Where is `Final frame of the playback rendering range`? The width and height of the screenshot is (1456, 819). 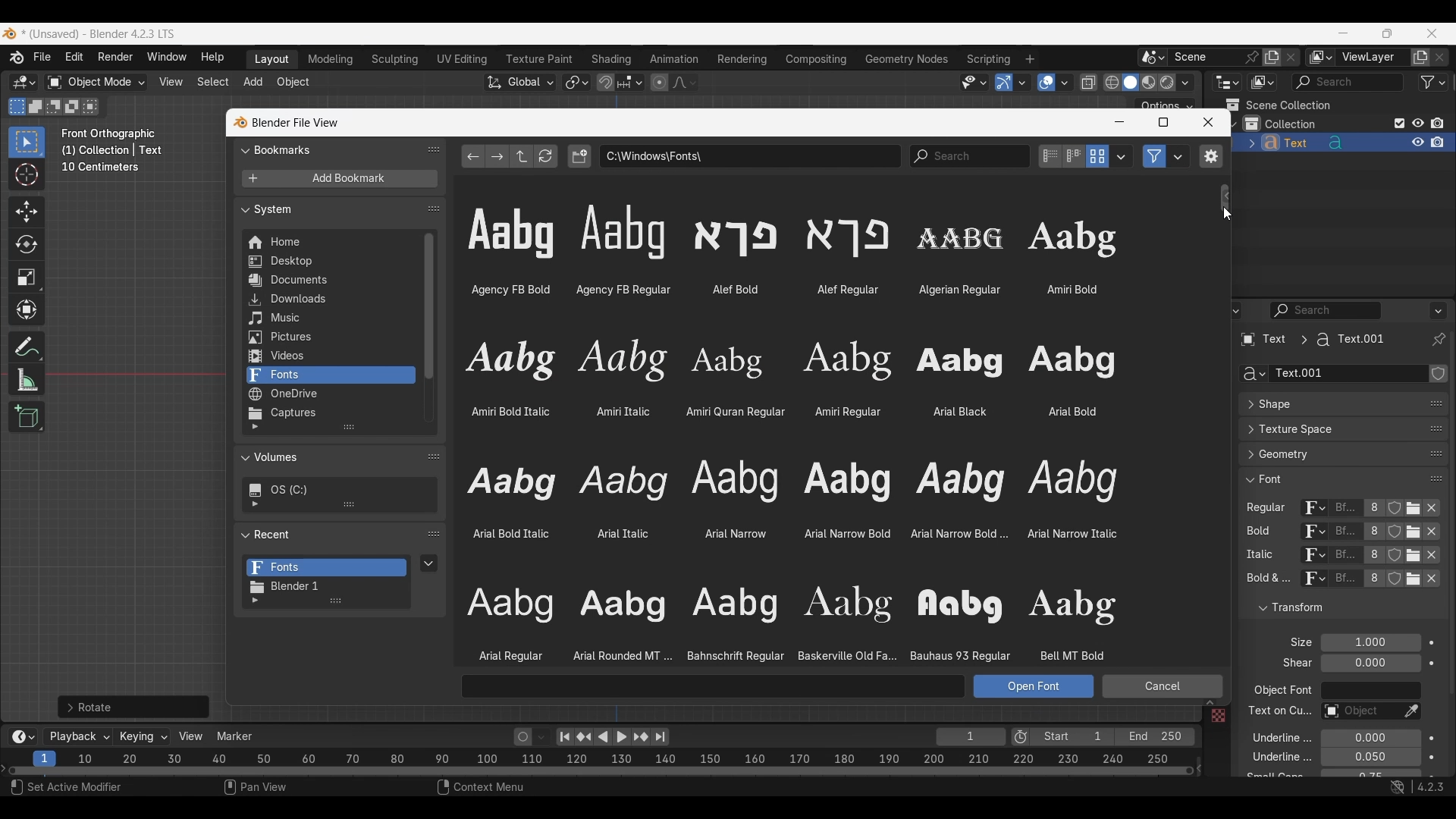 Final frame of the playback rendering range is located at coordinates (1112, 737).